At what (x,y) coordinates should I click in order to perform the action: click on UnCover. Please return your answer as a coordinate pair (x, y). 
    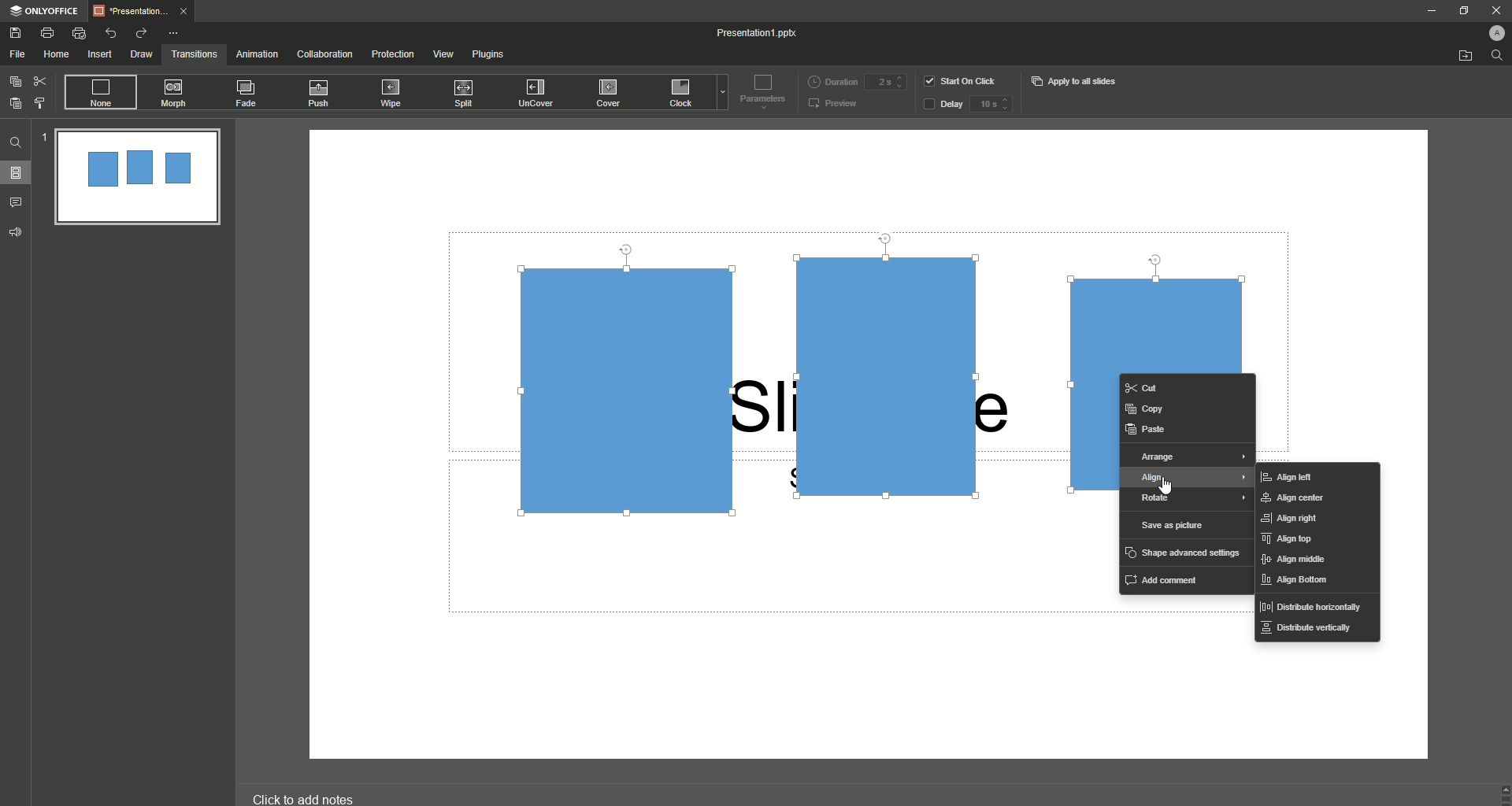
    Looking at the image, I should click on (541, 94).